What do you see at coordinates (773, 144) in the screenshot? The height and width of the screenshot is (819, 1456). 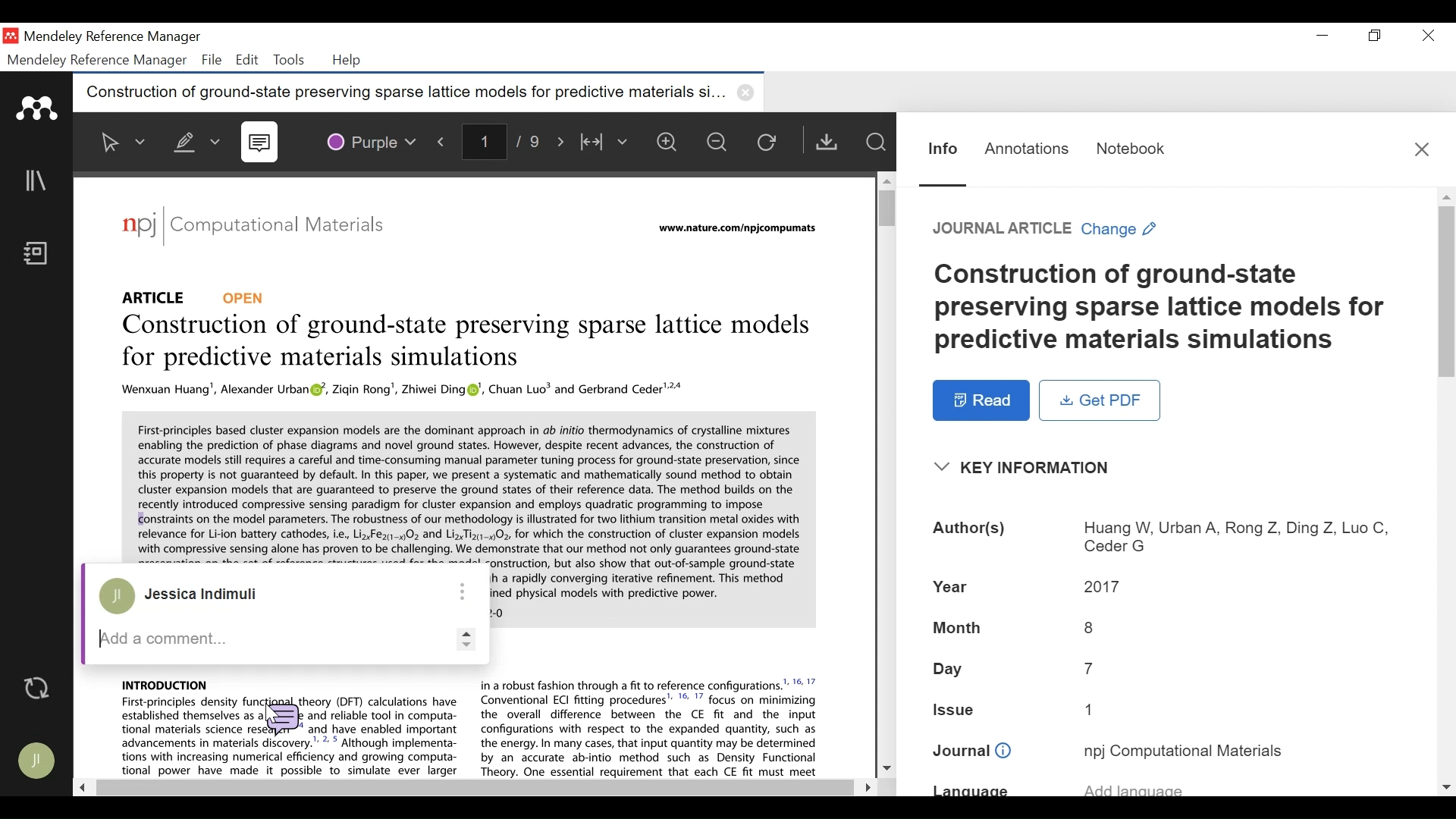 I see `Reload` at bounding box center [773, 144].